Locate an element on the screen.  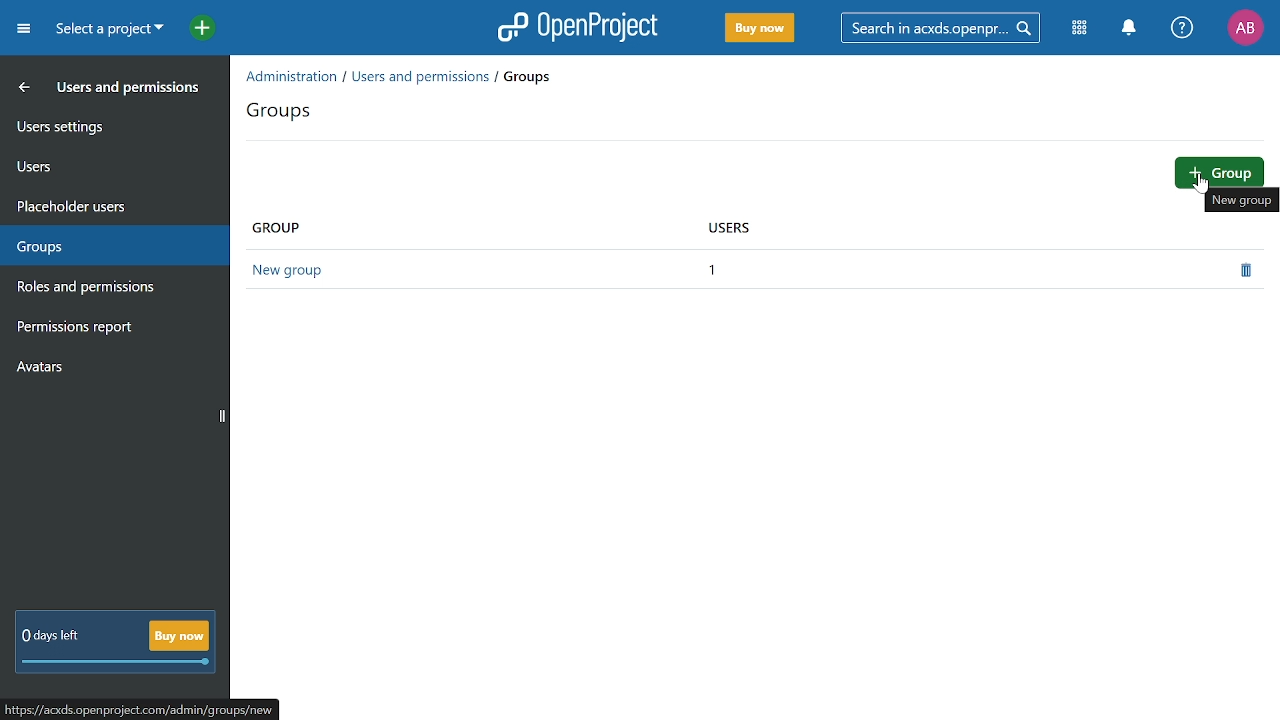
avatars is located at coordinates (104, 365).